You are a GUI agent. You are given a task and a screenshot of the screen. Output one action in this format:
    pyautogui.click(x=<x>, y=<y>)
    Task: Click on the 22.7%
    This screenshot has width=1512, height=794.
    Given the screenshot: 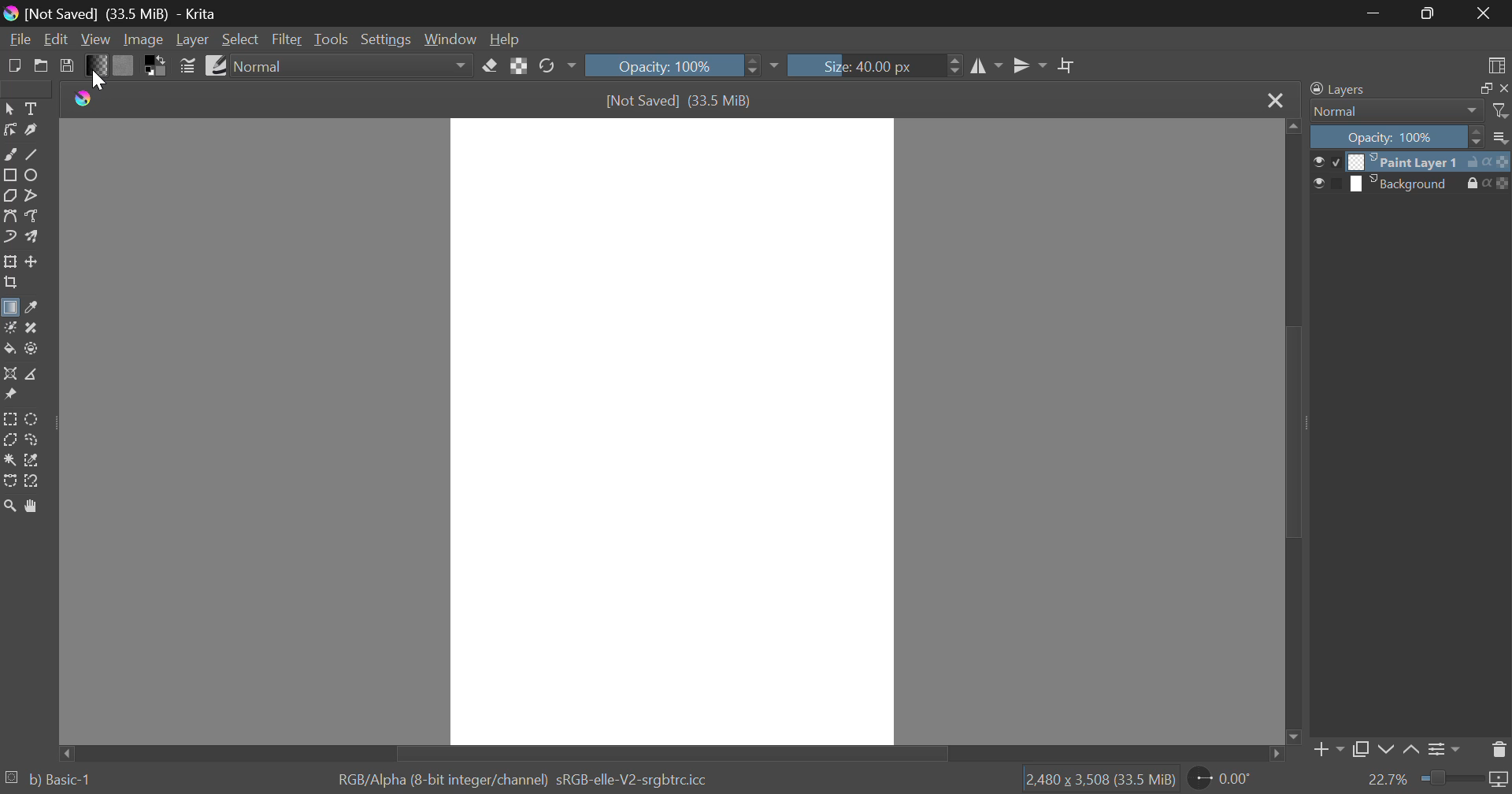 What is the action you would take?
    pyautogui.click(x=1437, y=781)
    